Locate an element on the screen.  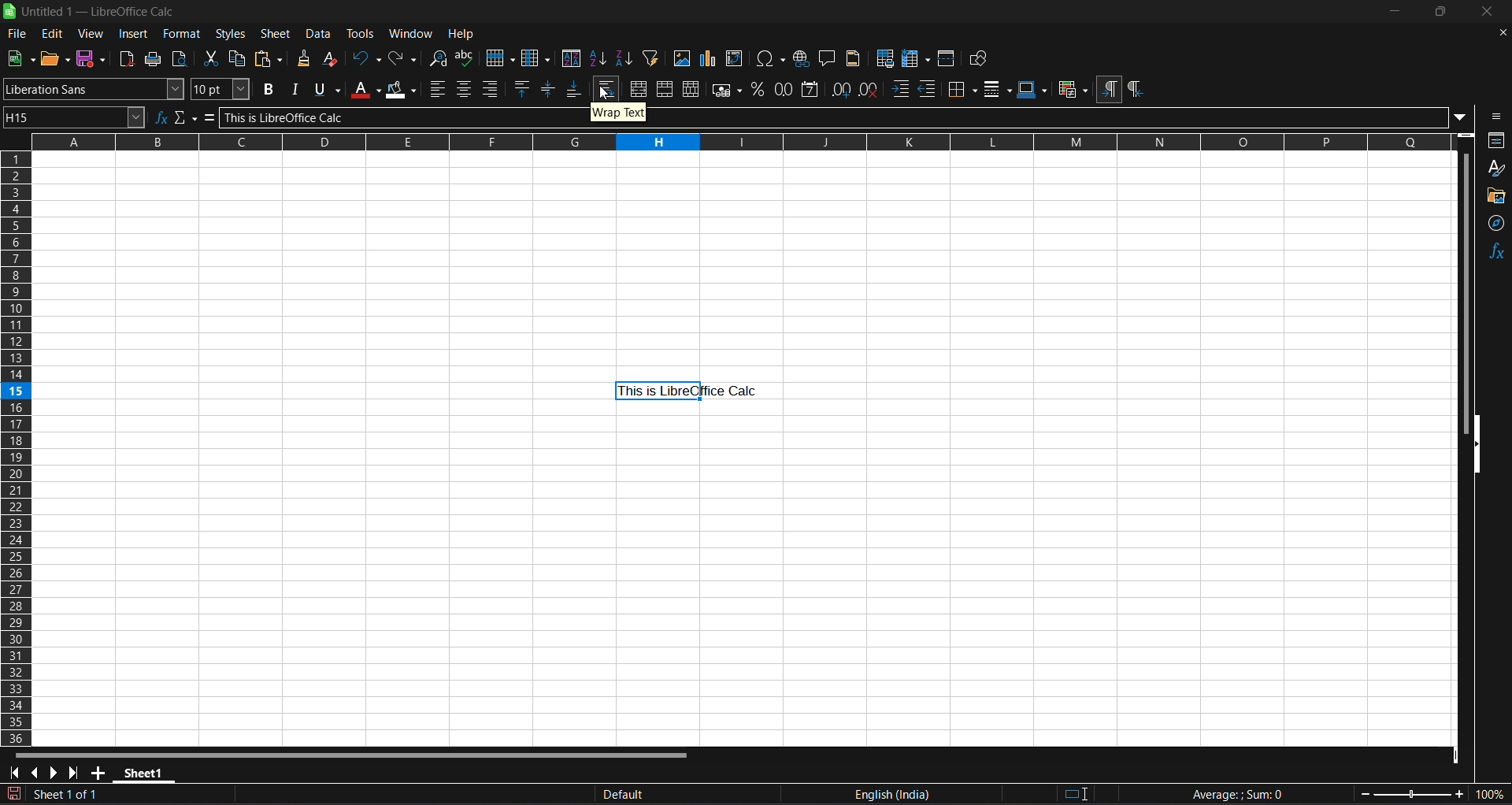
undo is located at coordinates (365, 59).